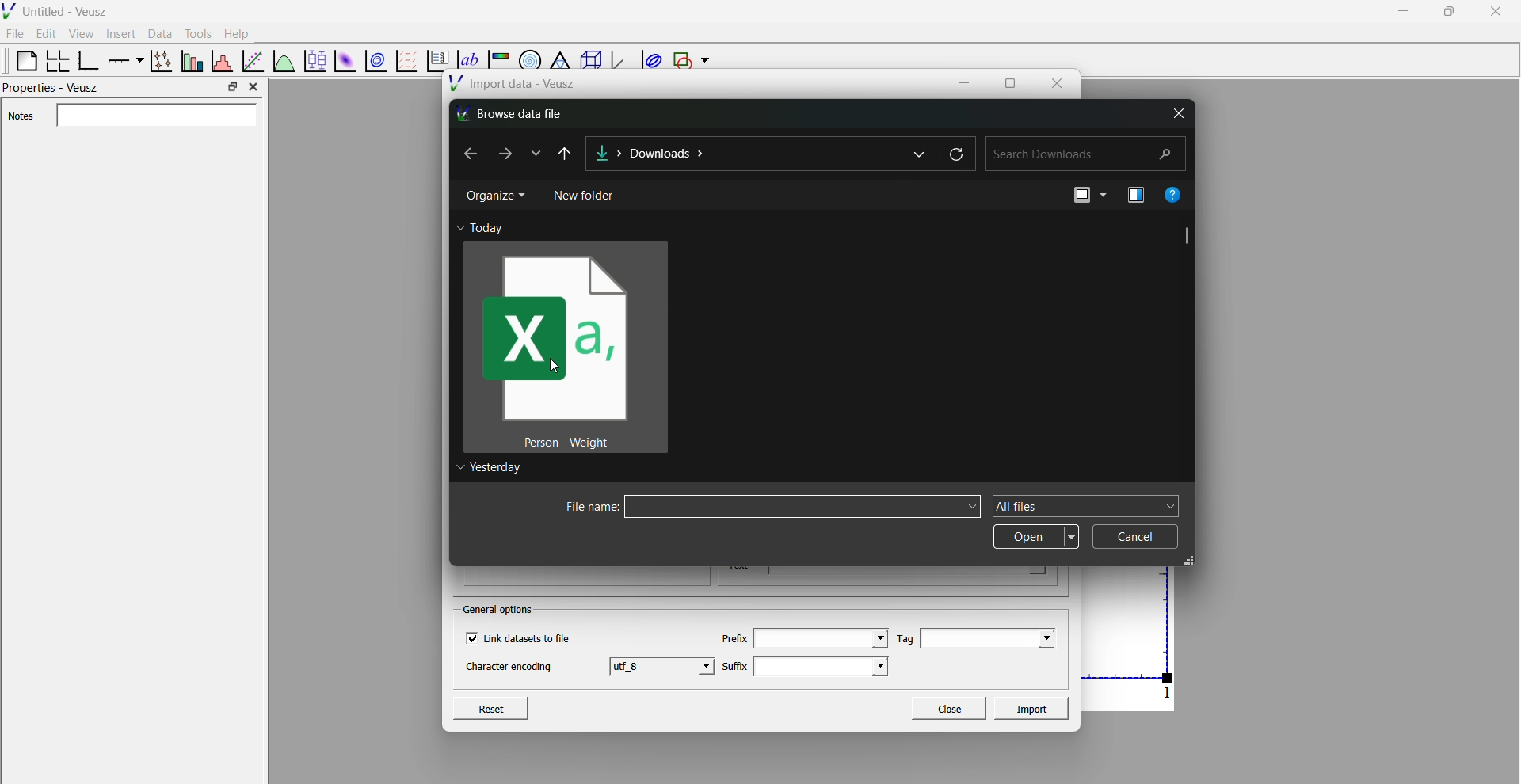 This screenshot has width=1521, height=784. What do you see at coordinates (501, 609) in the screenshot?
I see `General options` at bounding box center [501, 609].